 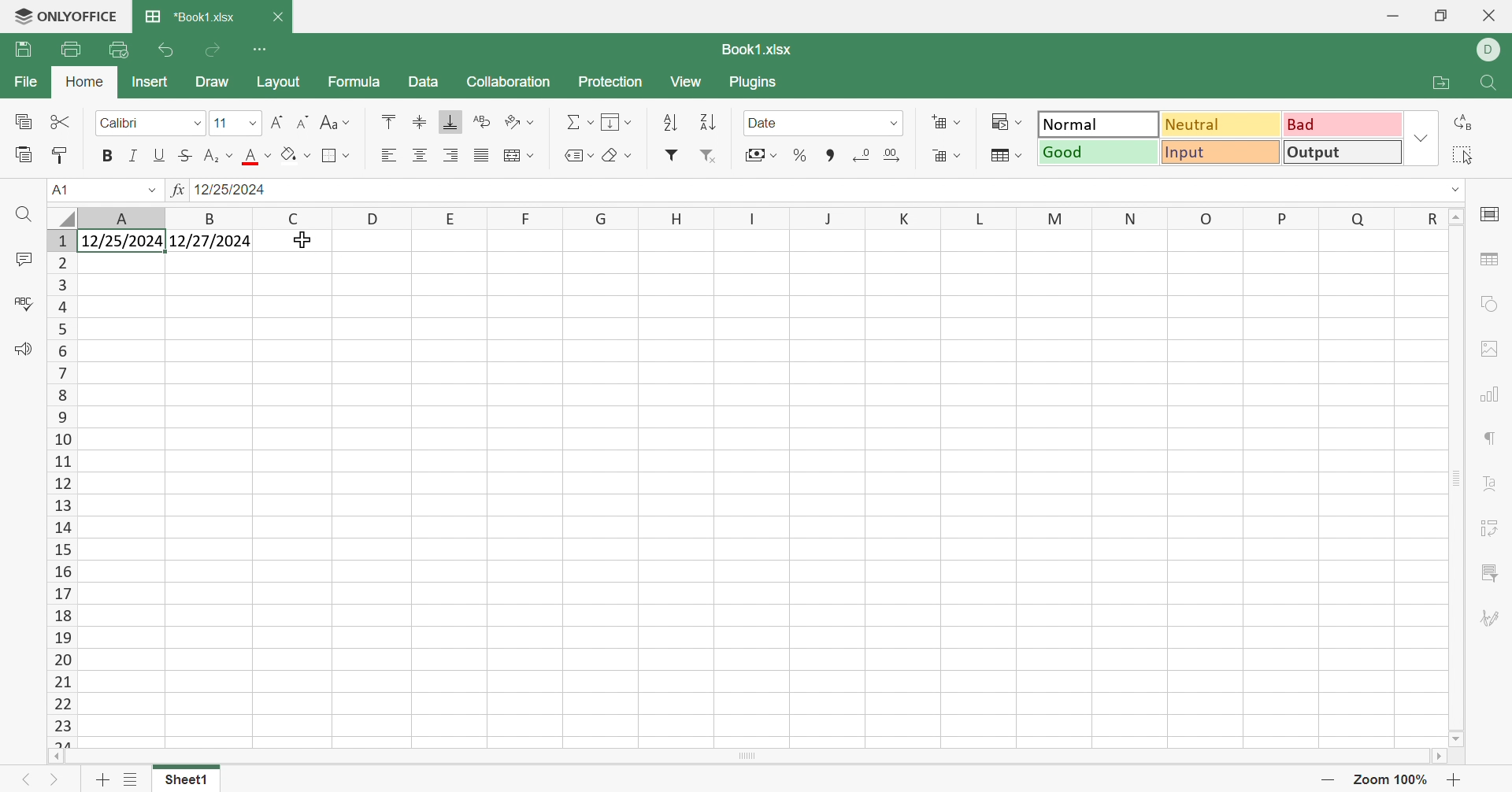 What do you see at coordinates (616, 121) in the screenshot?
I see `Fill` at bounding box center [616, 121].